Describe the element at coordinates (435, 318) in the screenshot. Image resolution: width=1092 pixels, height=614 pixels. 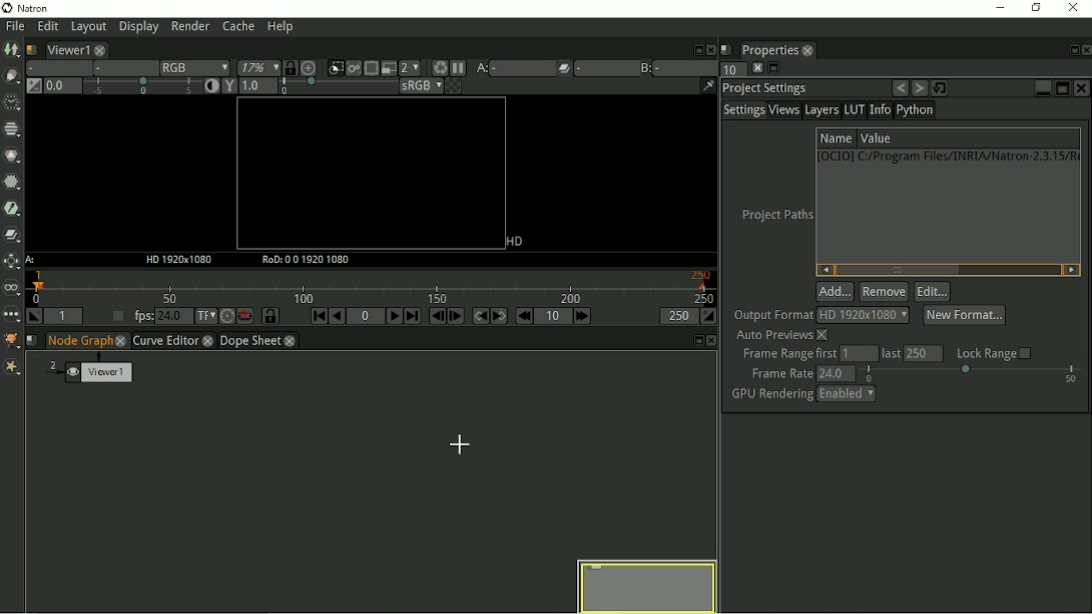
I see `Previous frame` at that location.